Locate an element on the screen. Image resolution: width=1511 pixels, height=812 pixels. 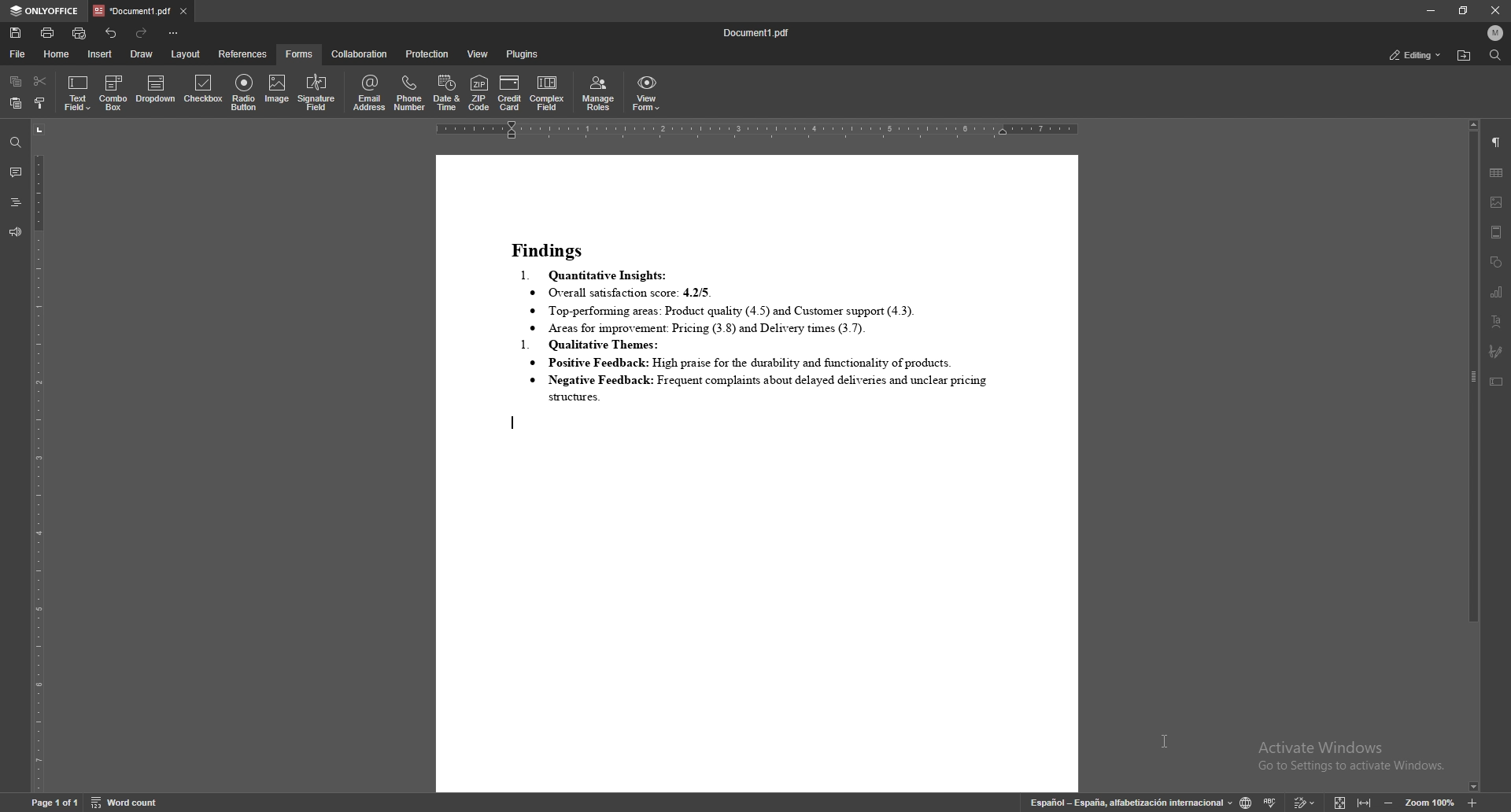
radio button is located at coordinates (245, 93).